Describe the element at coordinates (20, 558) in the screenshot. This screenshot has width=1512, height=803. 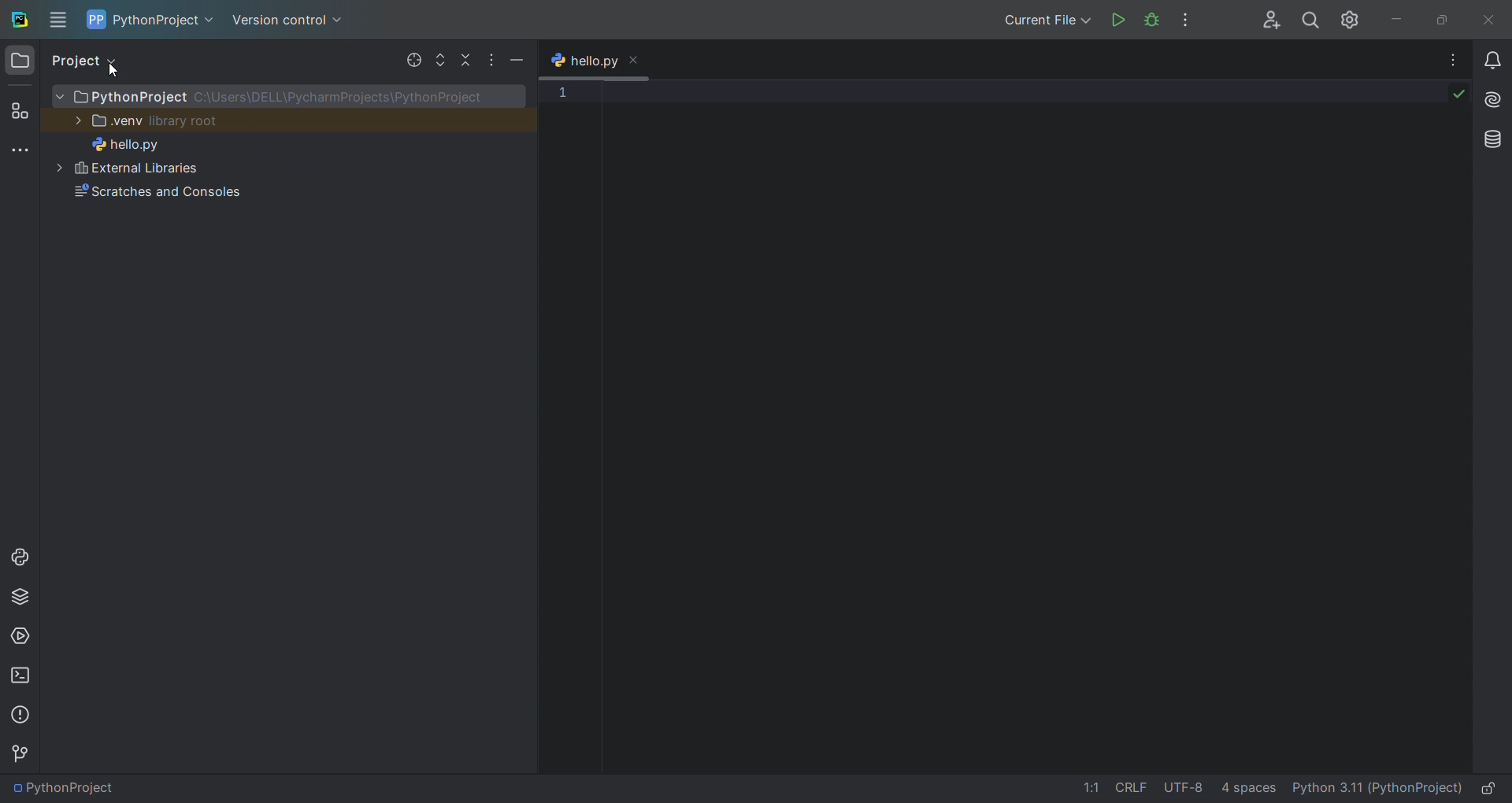
I see `python console` at that location.